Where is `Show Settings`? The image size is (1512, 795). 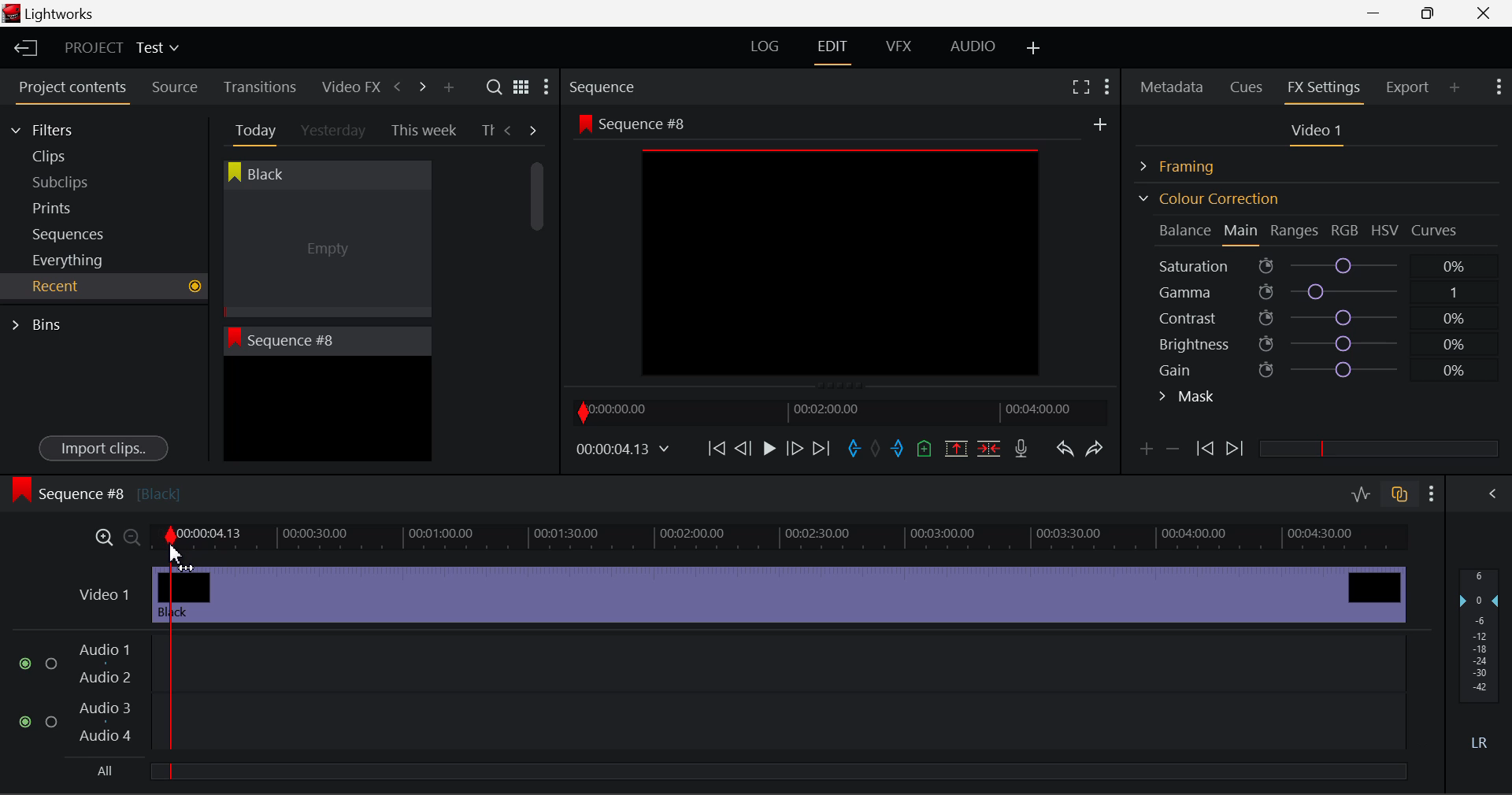 Show Settings is located at coordinates (545, 91).